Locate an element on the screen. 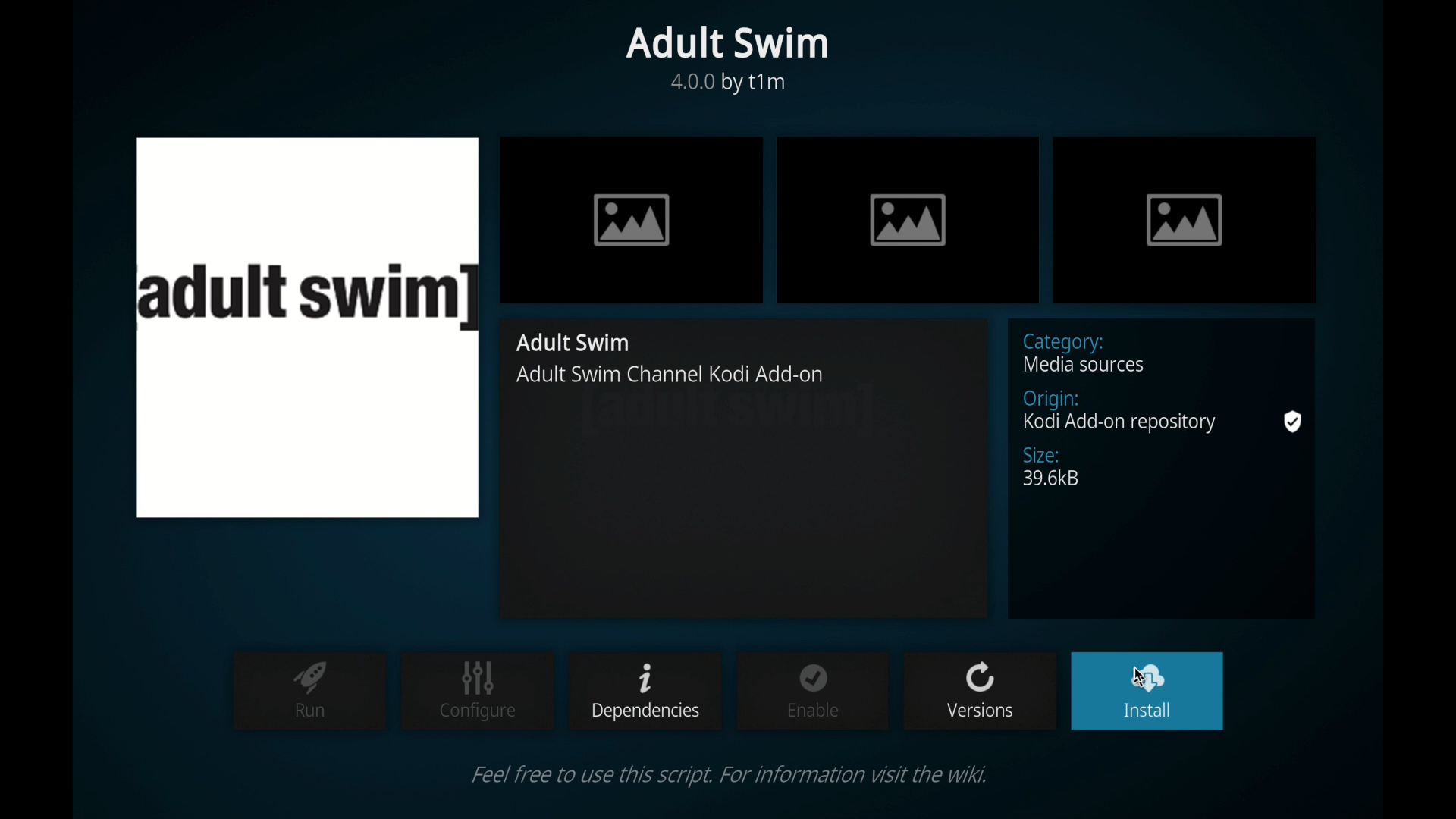 Image resolution: width=1456 pixels, height=819 pixels. category is located at coordinates (1086, 353).